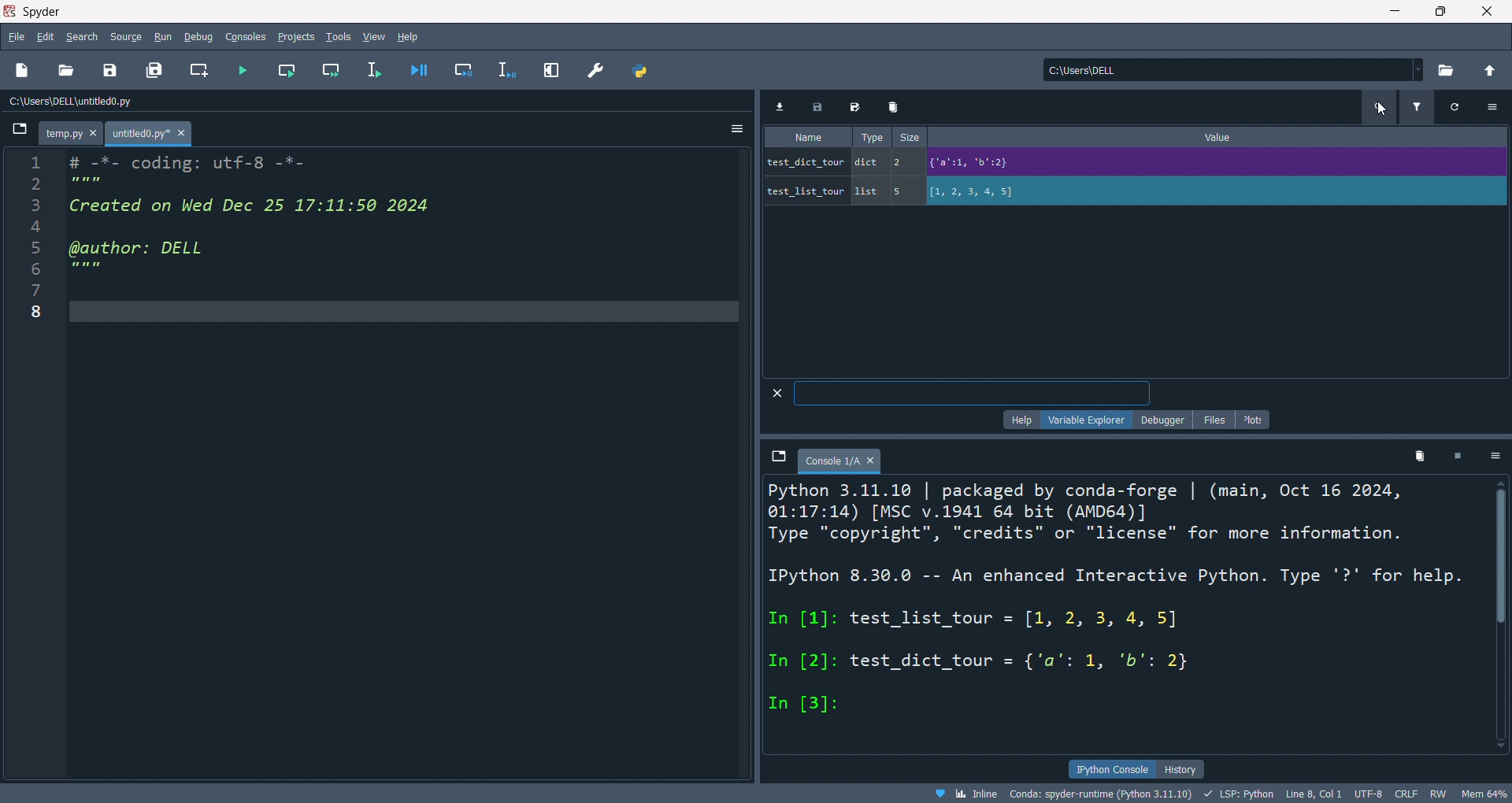  I want to click on title bar, so click(683, 10).